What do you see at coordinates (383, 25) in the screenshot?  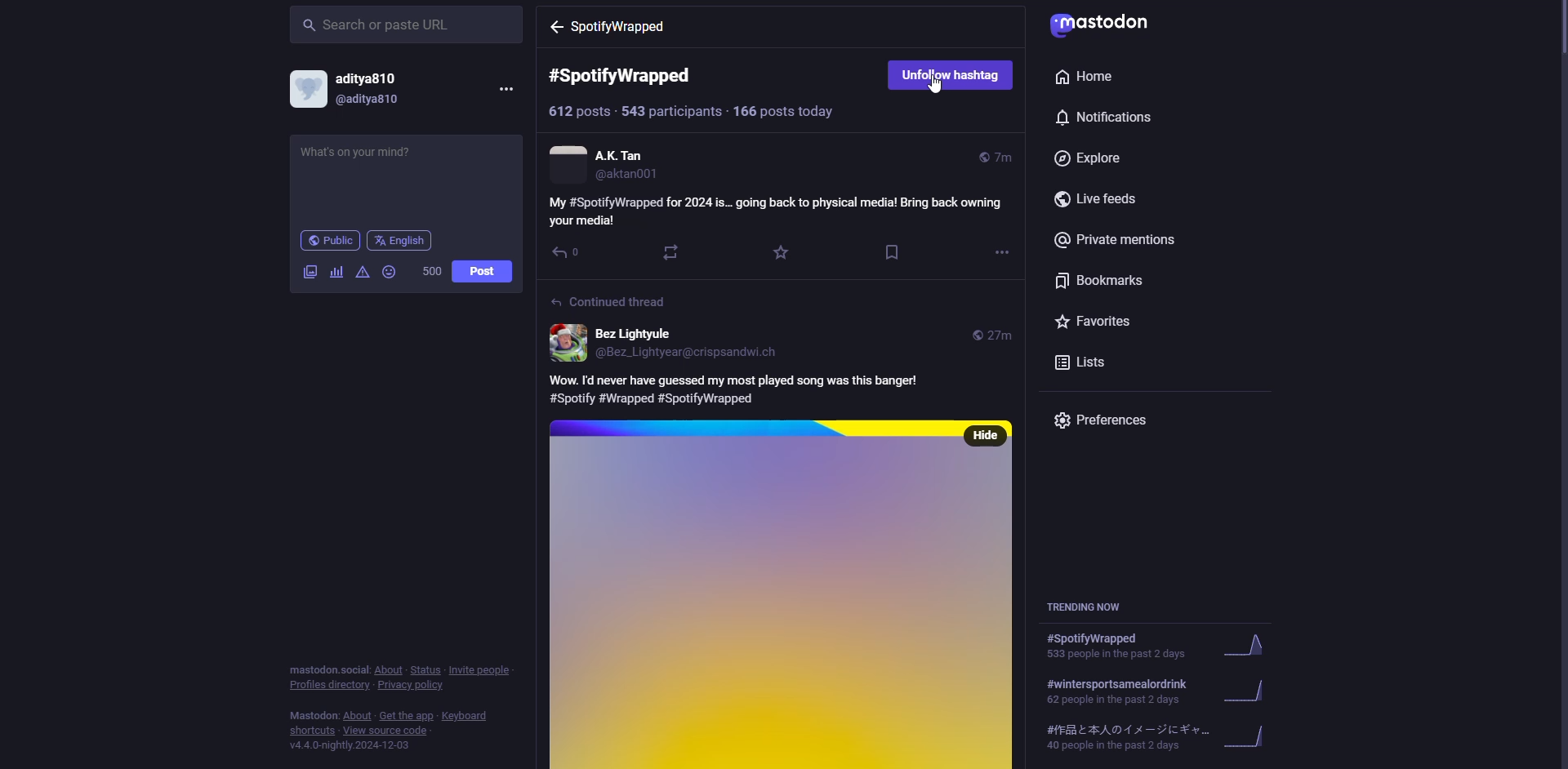 I see `search` at bounding box center [383, 25].